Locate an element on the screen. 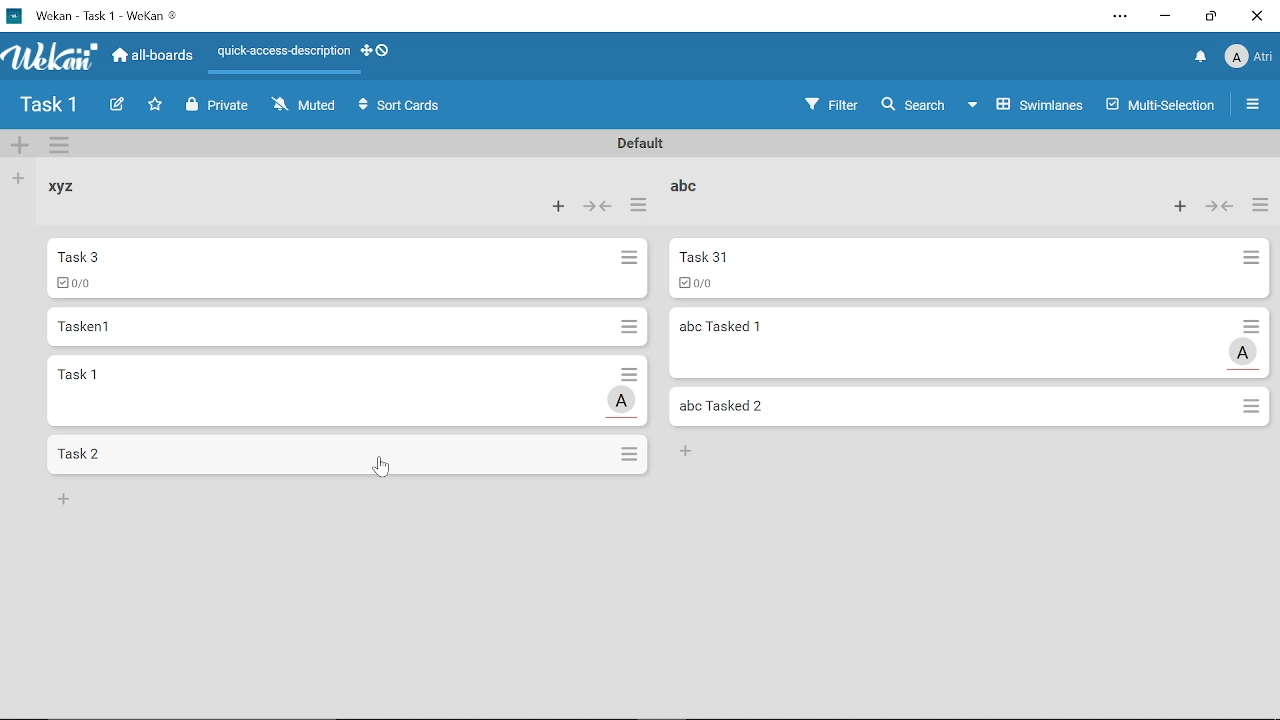 Image resolution: width=1280 pixels, height=720 pixels. Rename is located at coordinates (637, 144).